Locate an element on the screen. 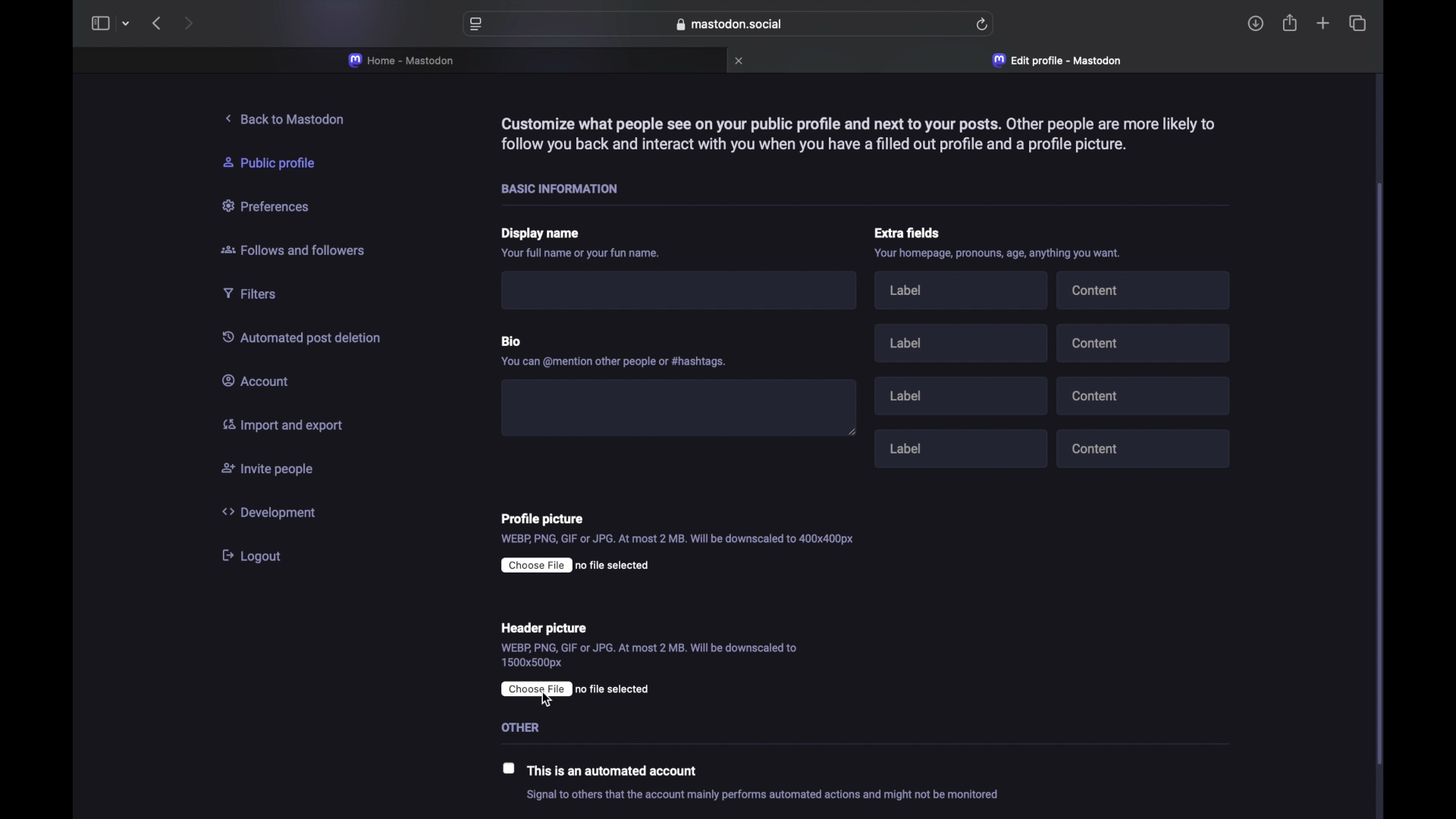 This screenshot has width=1456, height=819. tab group picker is located at coordinates (126, 24).